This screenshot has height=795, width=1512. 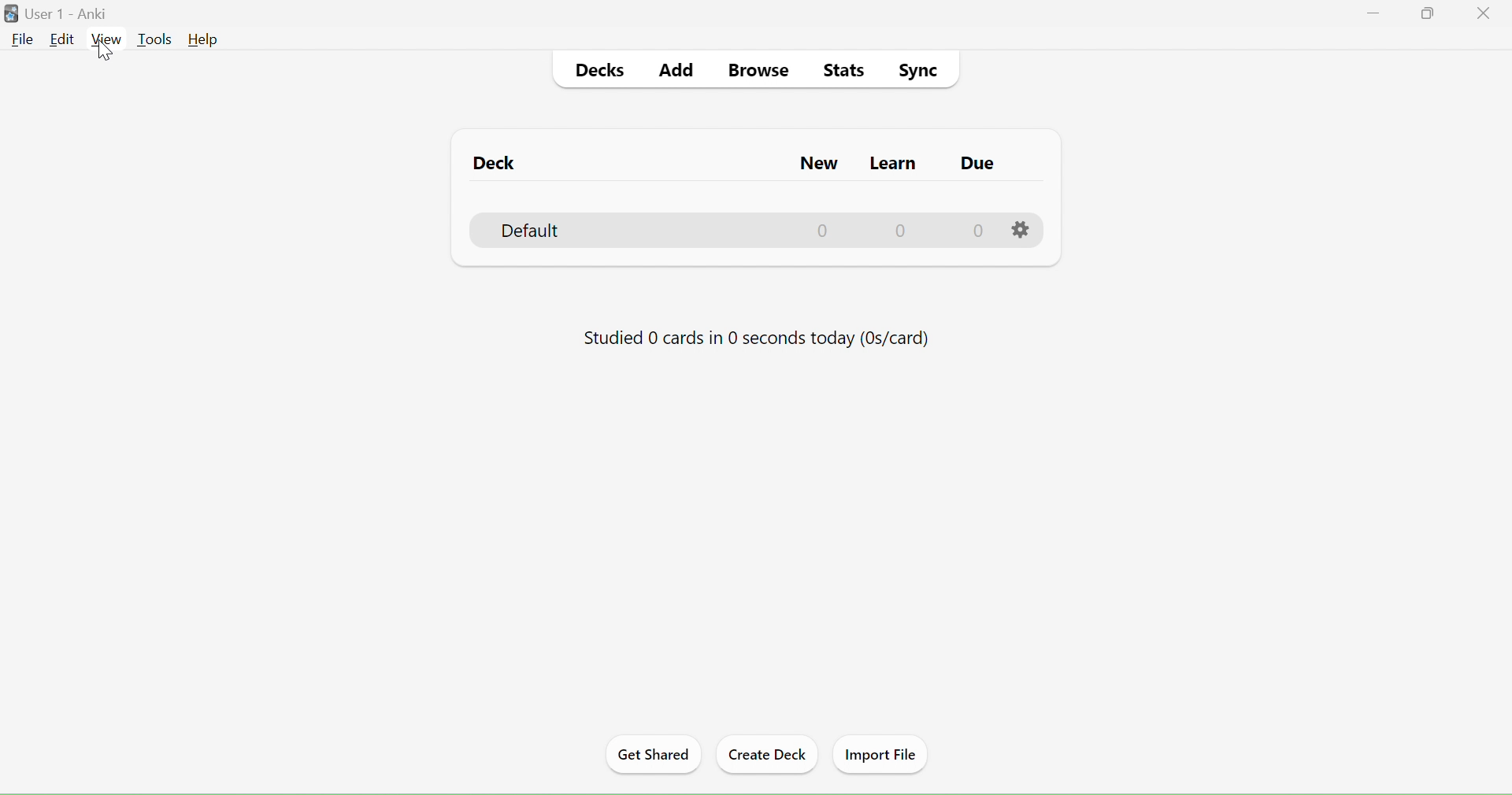 I want to click on add, so click(x=678, y=71).